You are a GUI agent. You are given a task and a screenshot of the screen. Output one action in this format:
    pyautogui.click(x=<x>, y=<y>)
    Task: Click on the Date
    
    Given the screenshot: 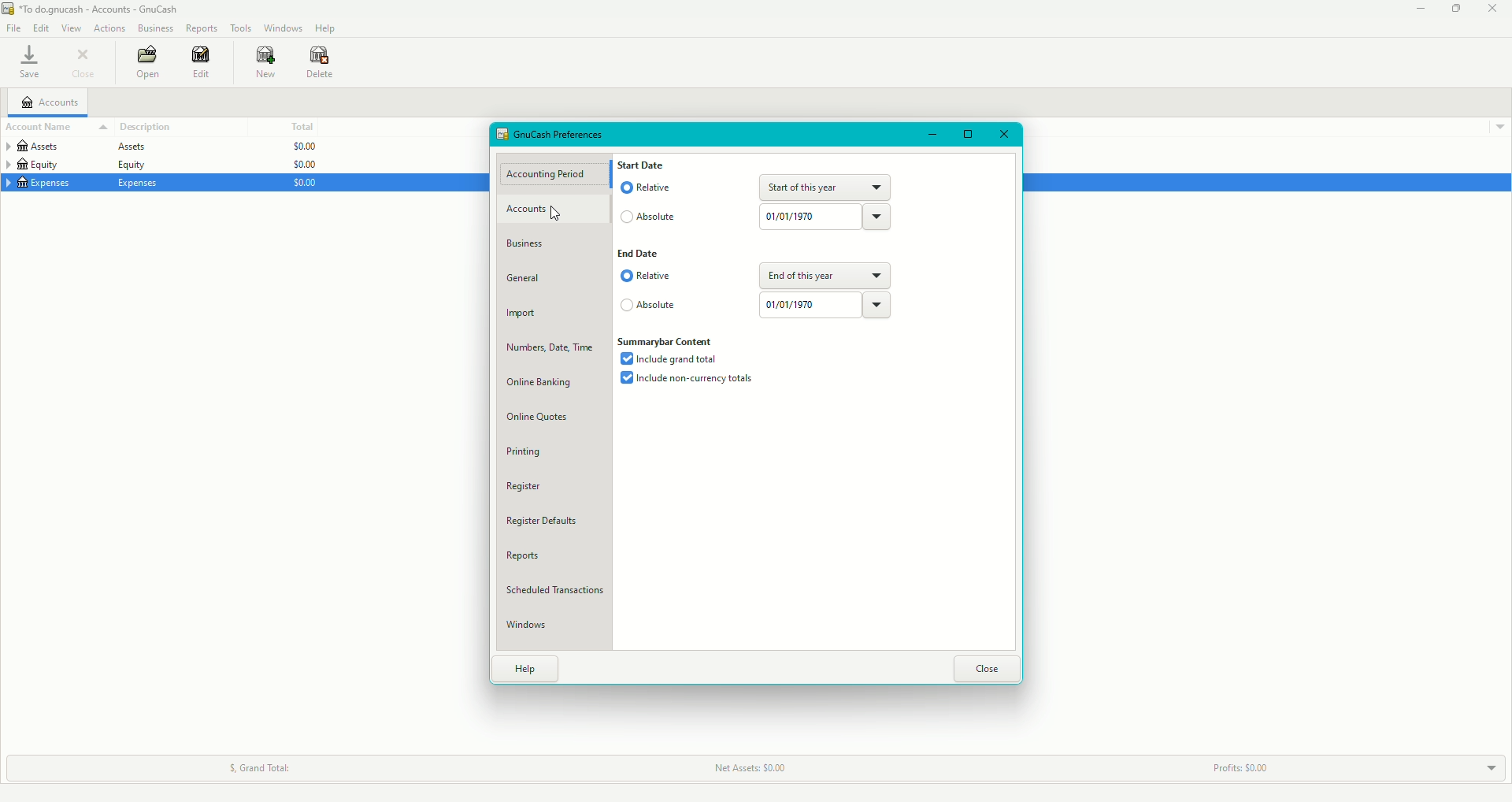 What is the action you would take?
    pyautogui.click(x=826, y=305)
    